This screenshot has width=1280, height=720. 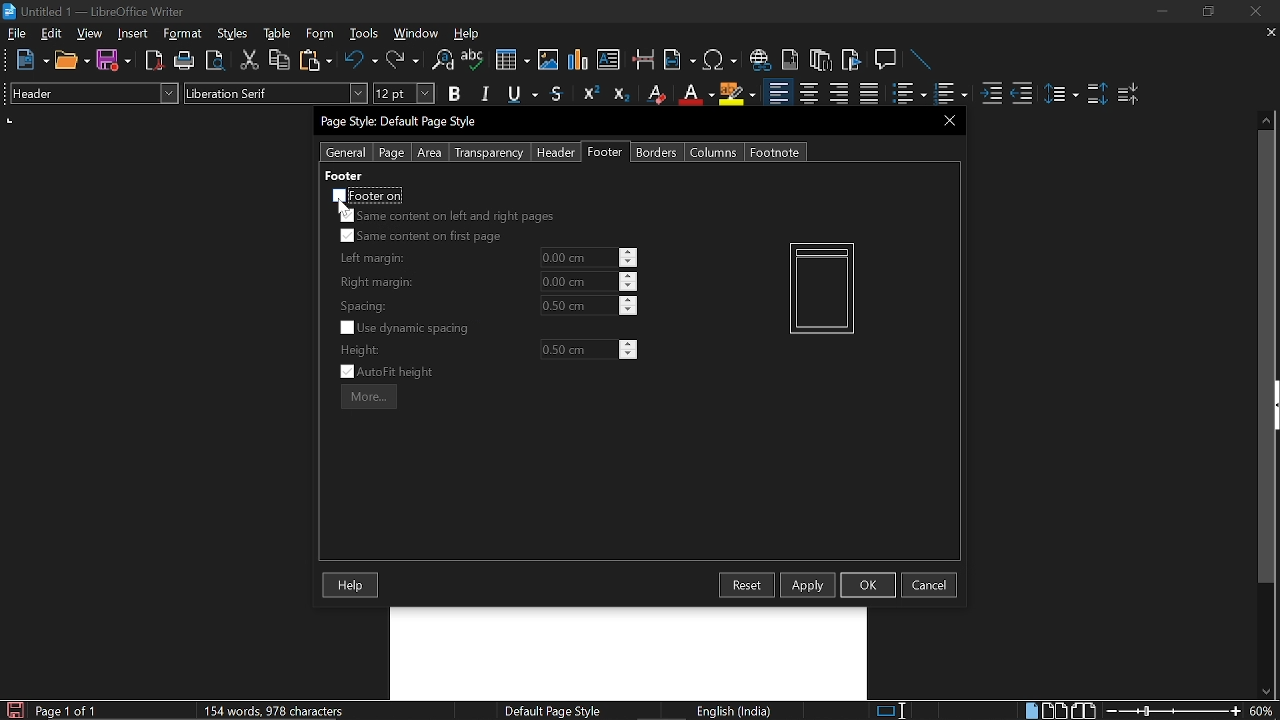 What do you see at coordinates (774, 152) in the screenshot?
I see `Footnote` at bounding box center [774, 152].